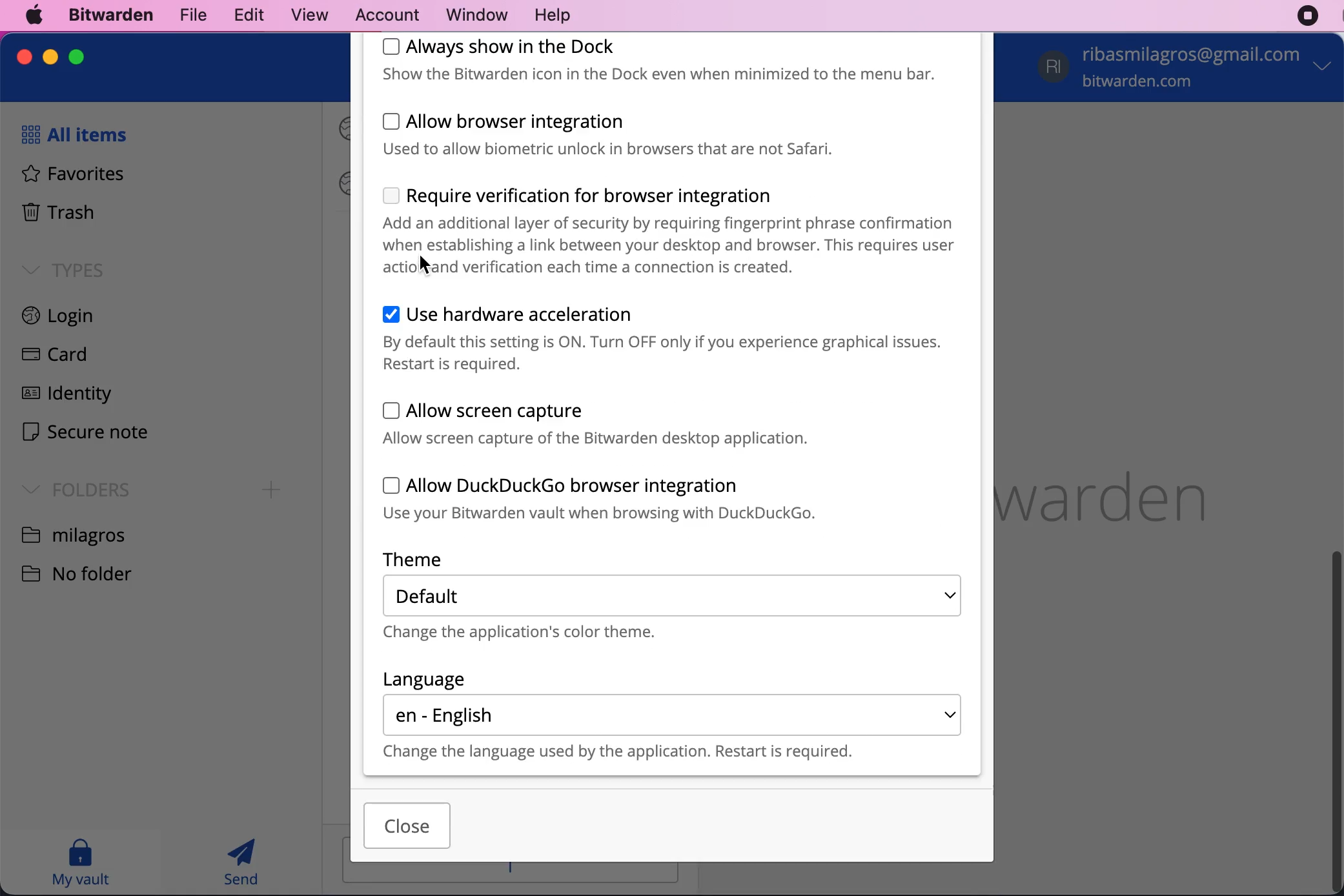  I want to click on window, so click(469, 15).